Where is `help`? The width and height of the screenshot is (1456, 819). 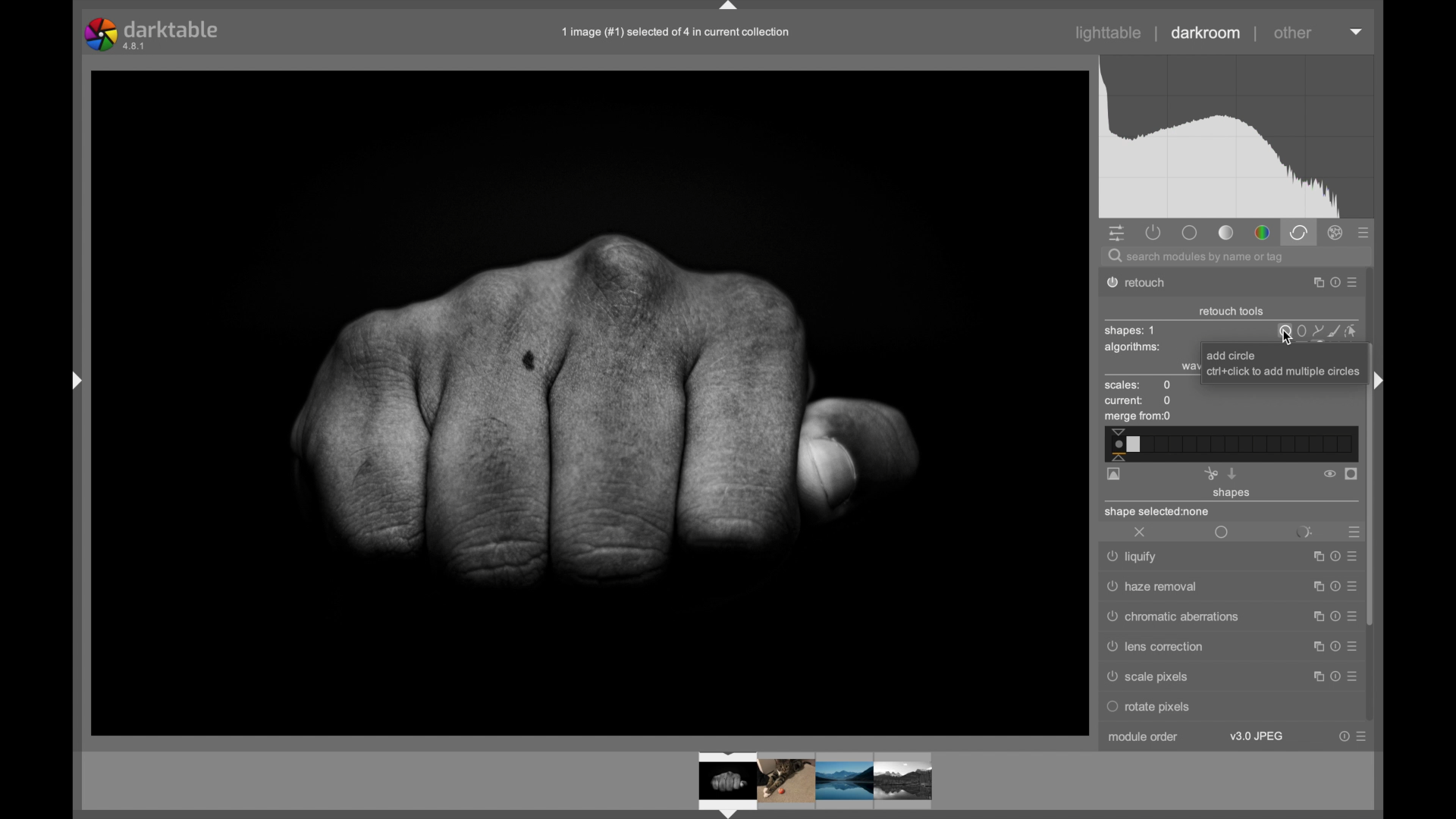 help is located at coordinates (1332, 587).